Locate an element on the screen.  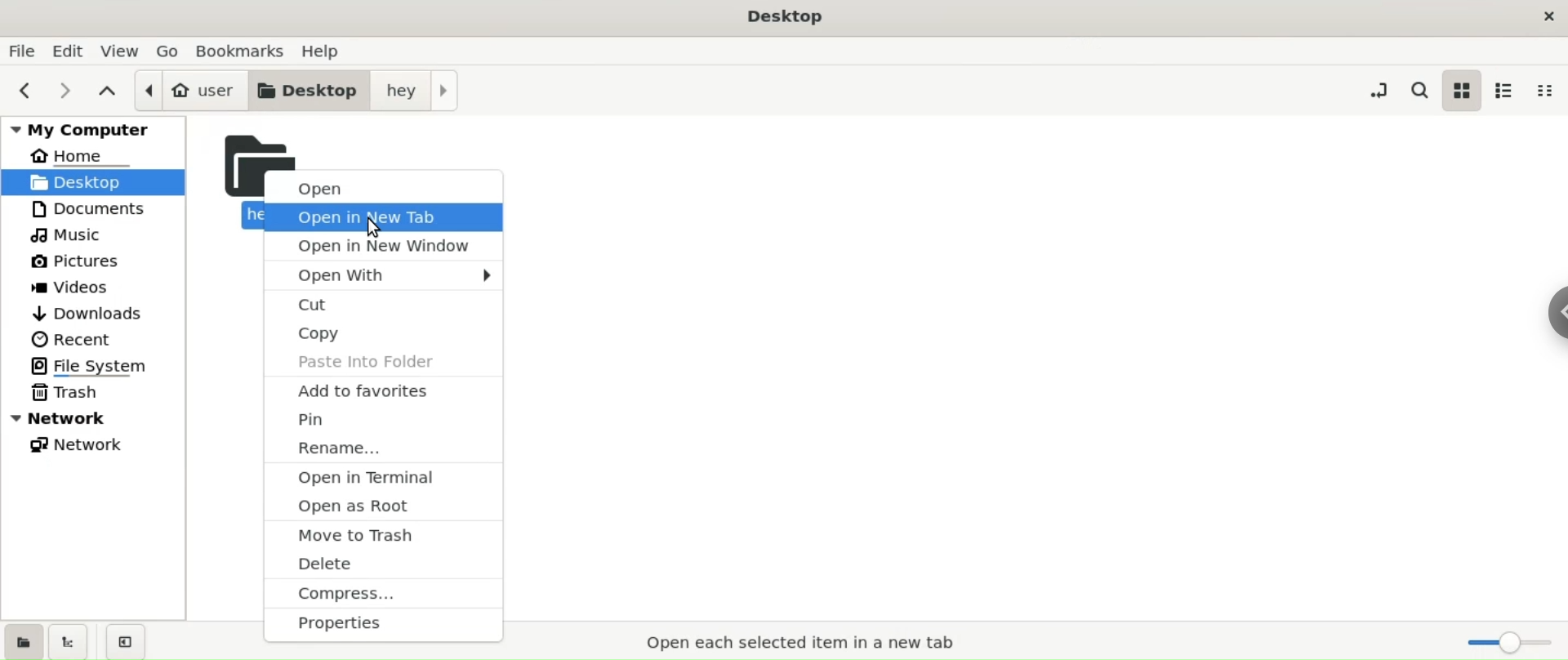
icon view is located at coordinates (1461, 90).